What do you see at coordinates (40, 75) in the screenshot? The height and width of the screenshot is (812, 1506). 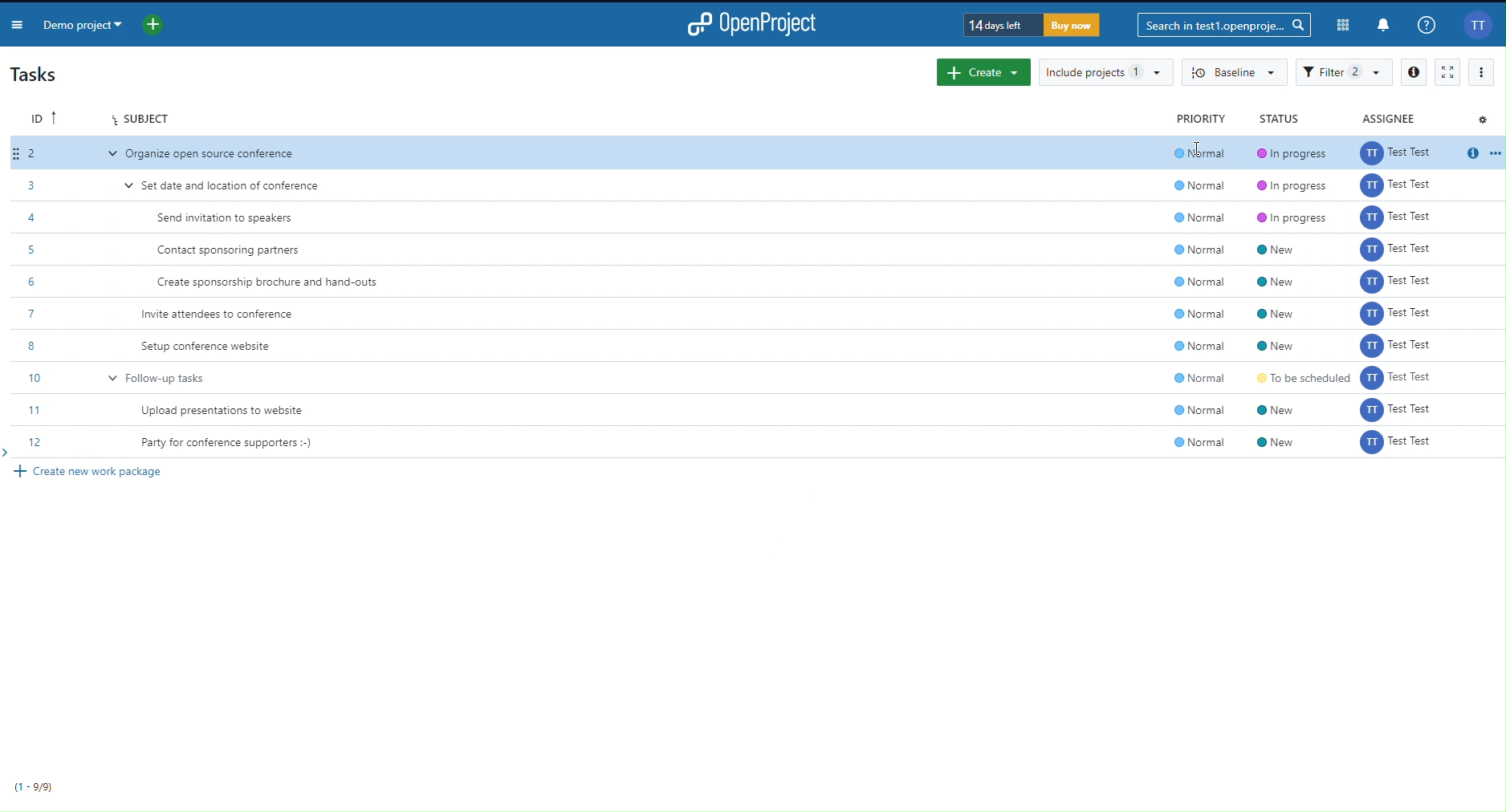 I see `Tasks` at bounding box center [40, 75].